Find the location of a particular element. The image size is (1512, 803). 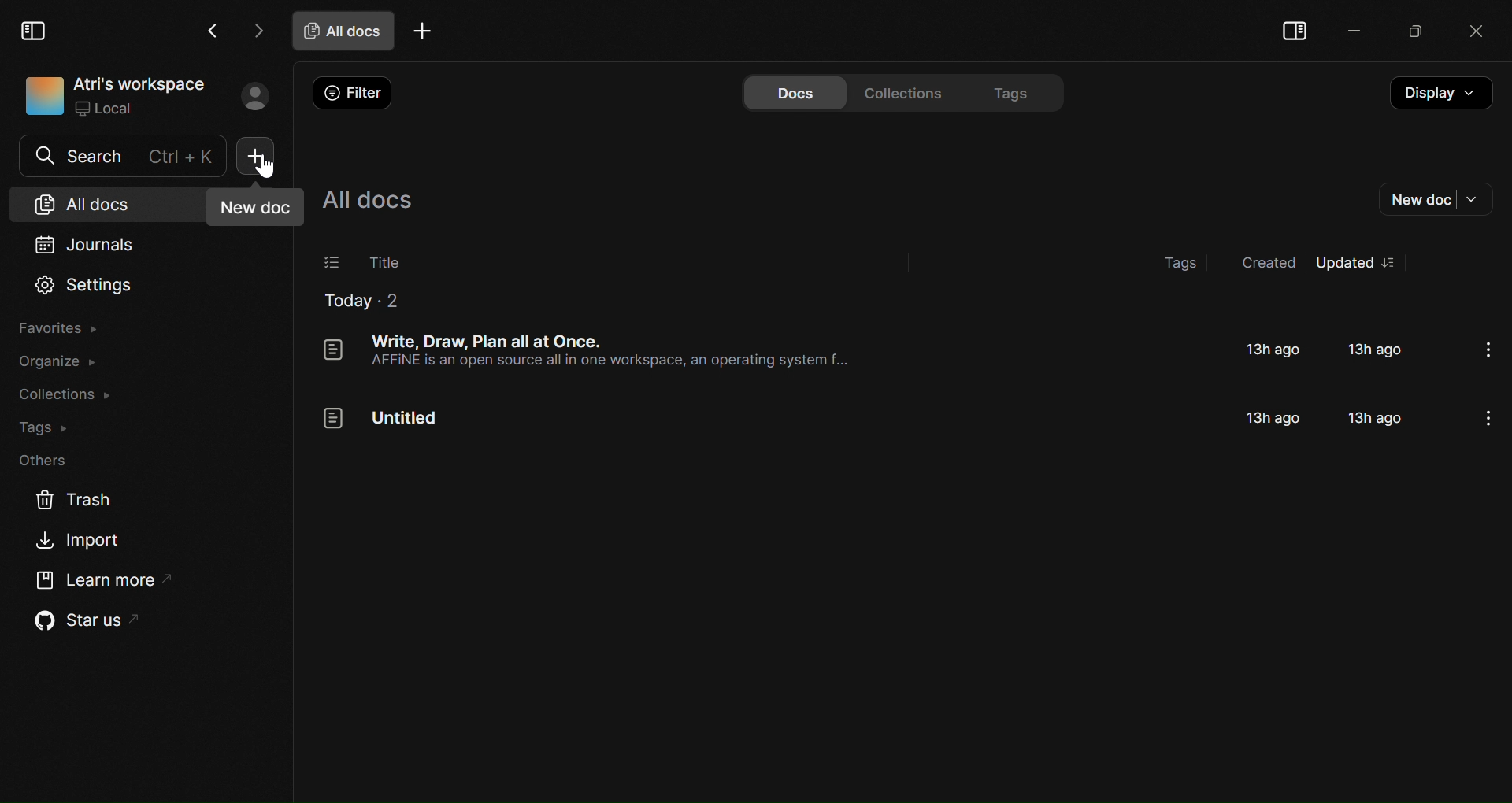

13h ago is located at coordinates (1377, 417).